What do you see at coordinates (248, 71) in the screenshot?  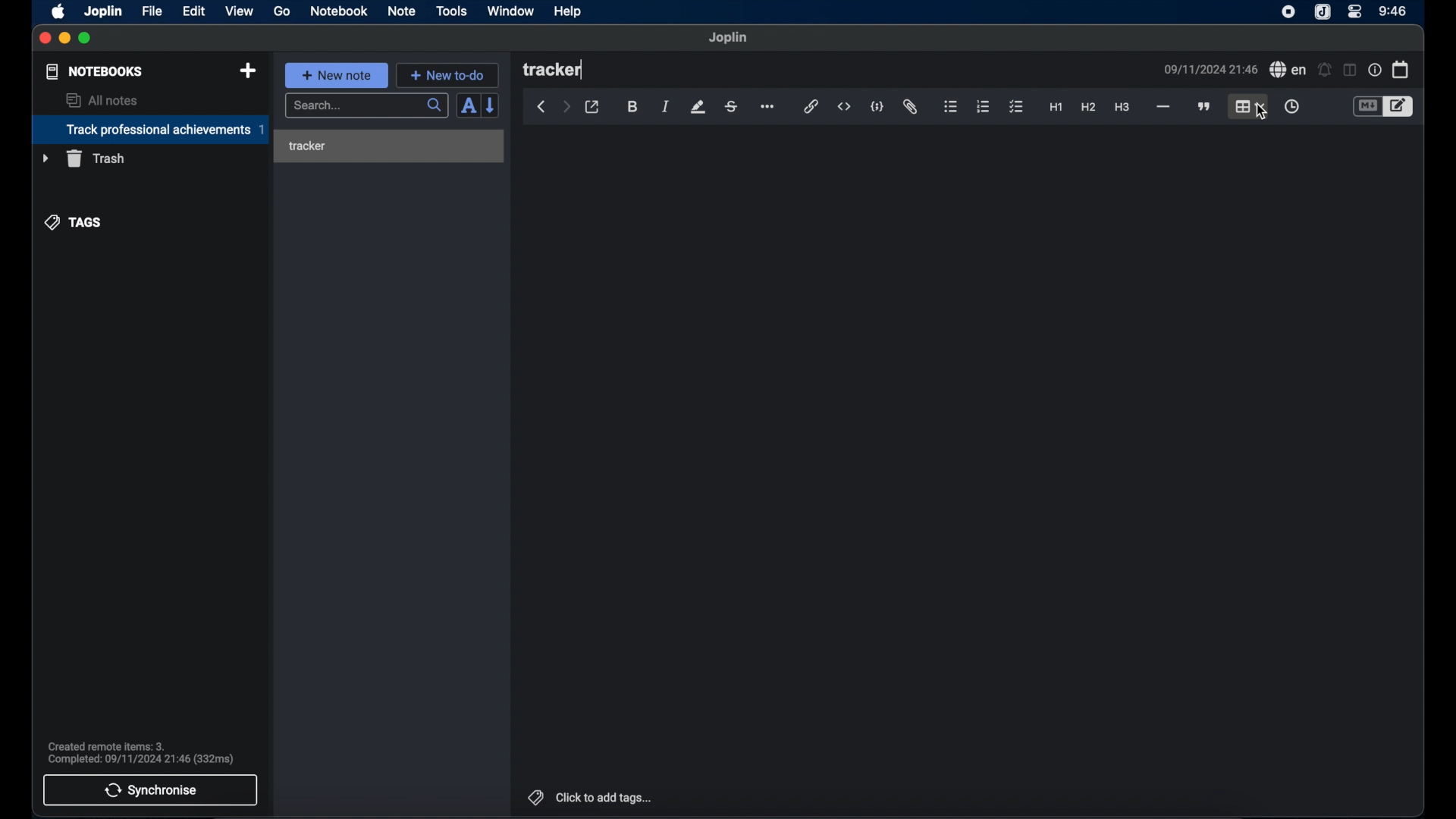 I see `new notebook` at bounding box center [248, 71].